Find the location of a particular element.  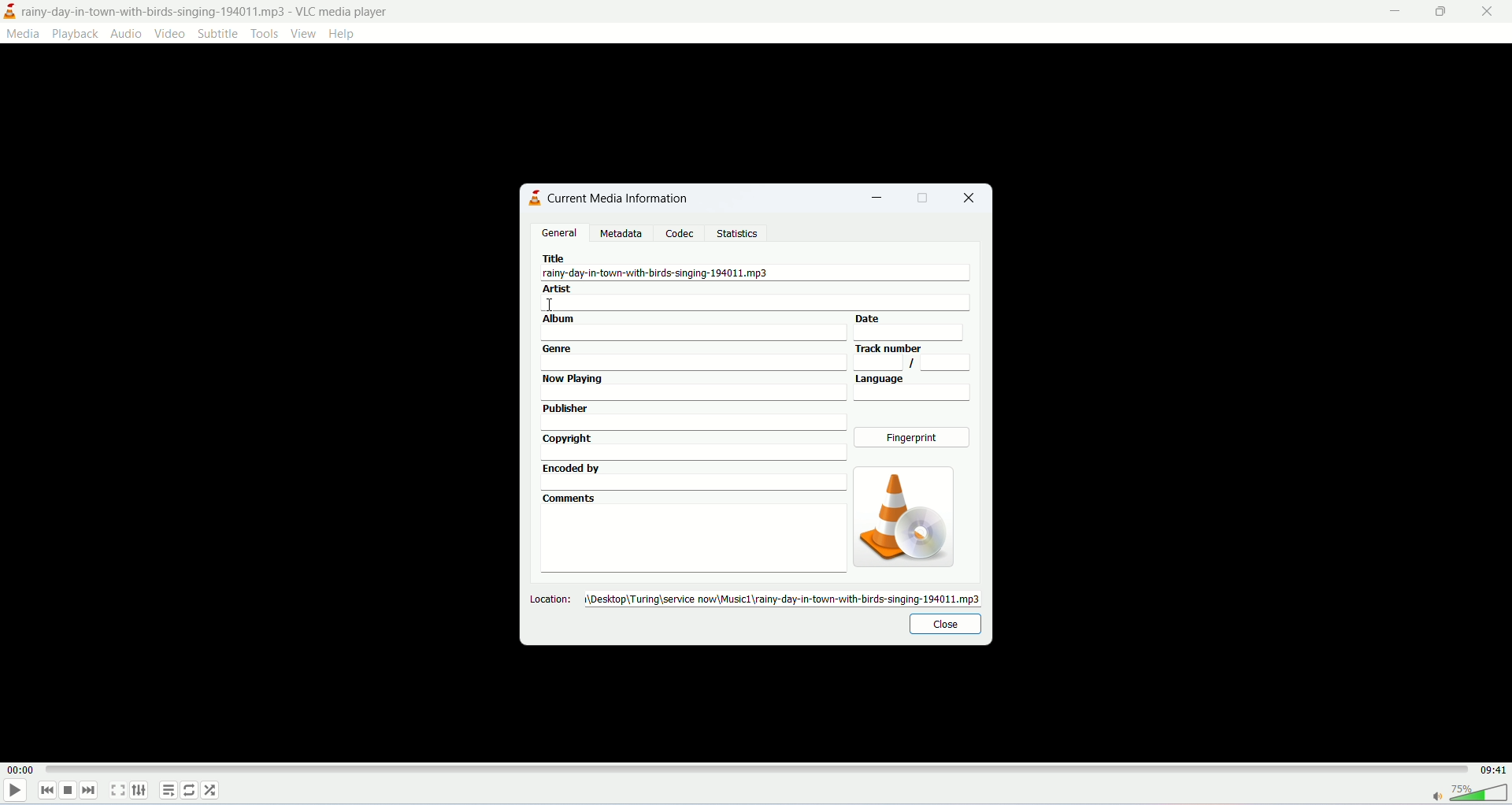

maximize is located at coordinates (1442, 14).